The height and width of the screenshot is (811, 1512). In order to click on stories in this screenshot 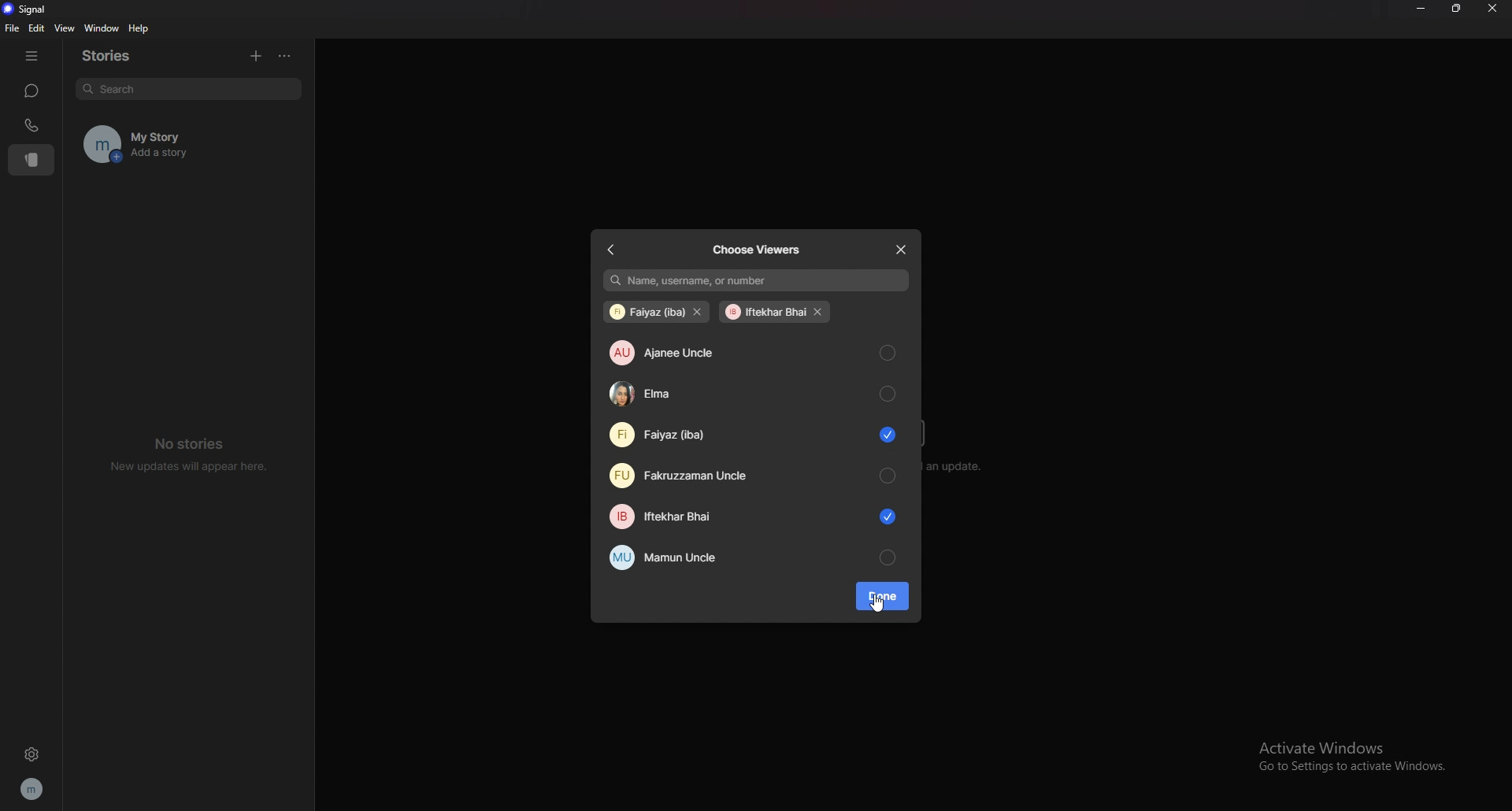, I will do `click(120, 56)`.